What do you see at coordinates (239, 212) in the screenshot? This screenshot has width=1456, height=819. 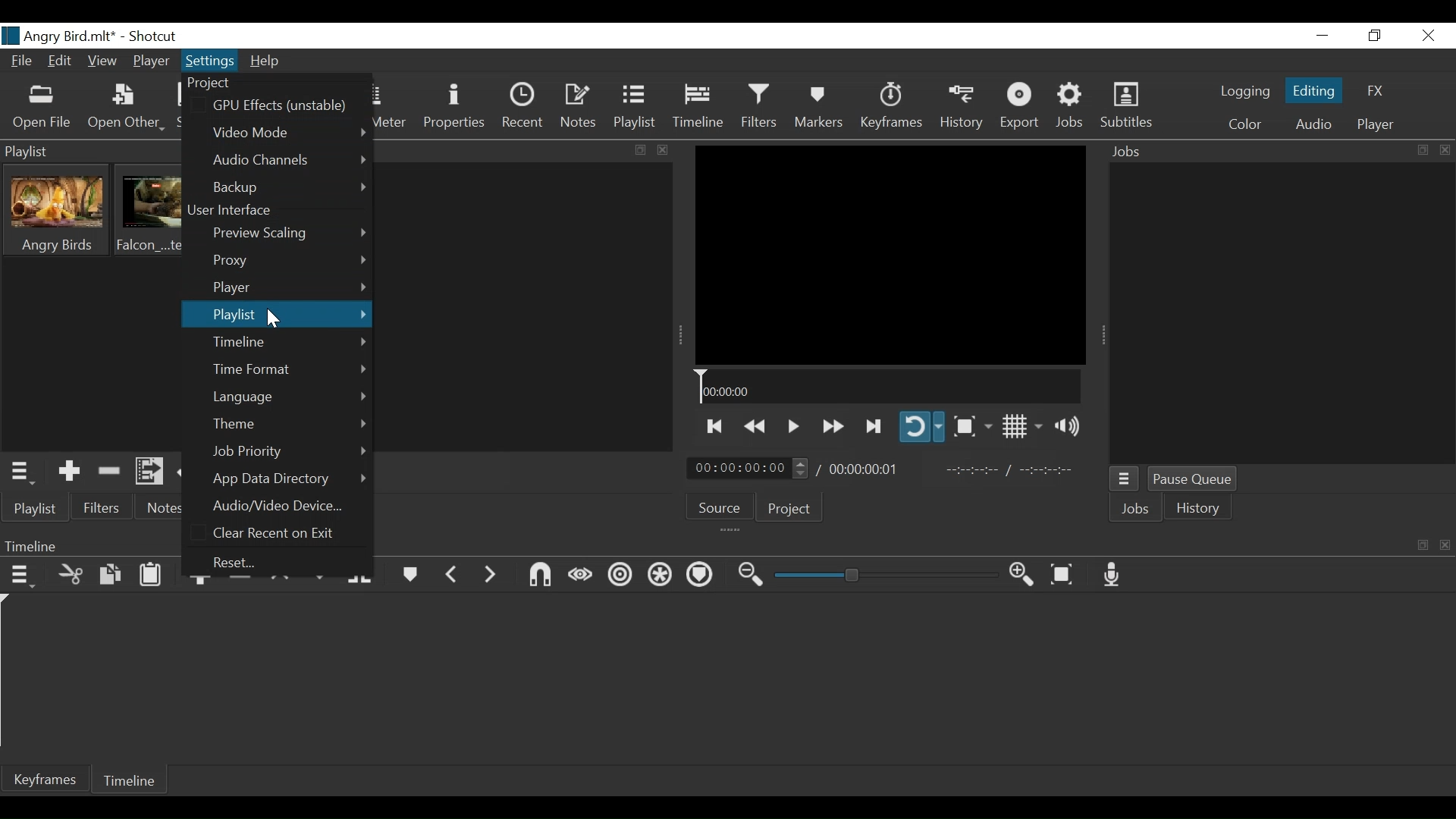 I see `User Interface` at bounding box center [239, 212].